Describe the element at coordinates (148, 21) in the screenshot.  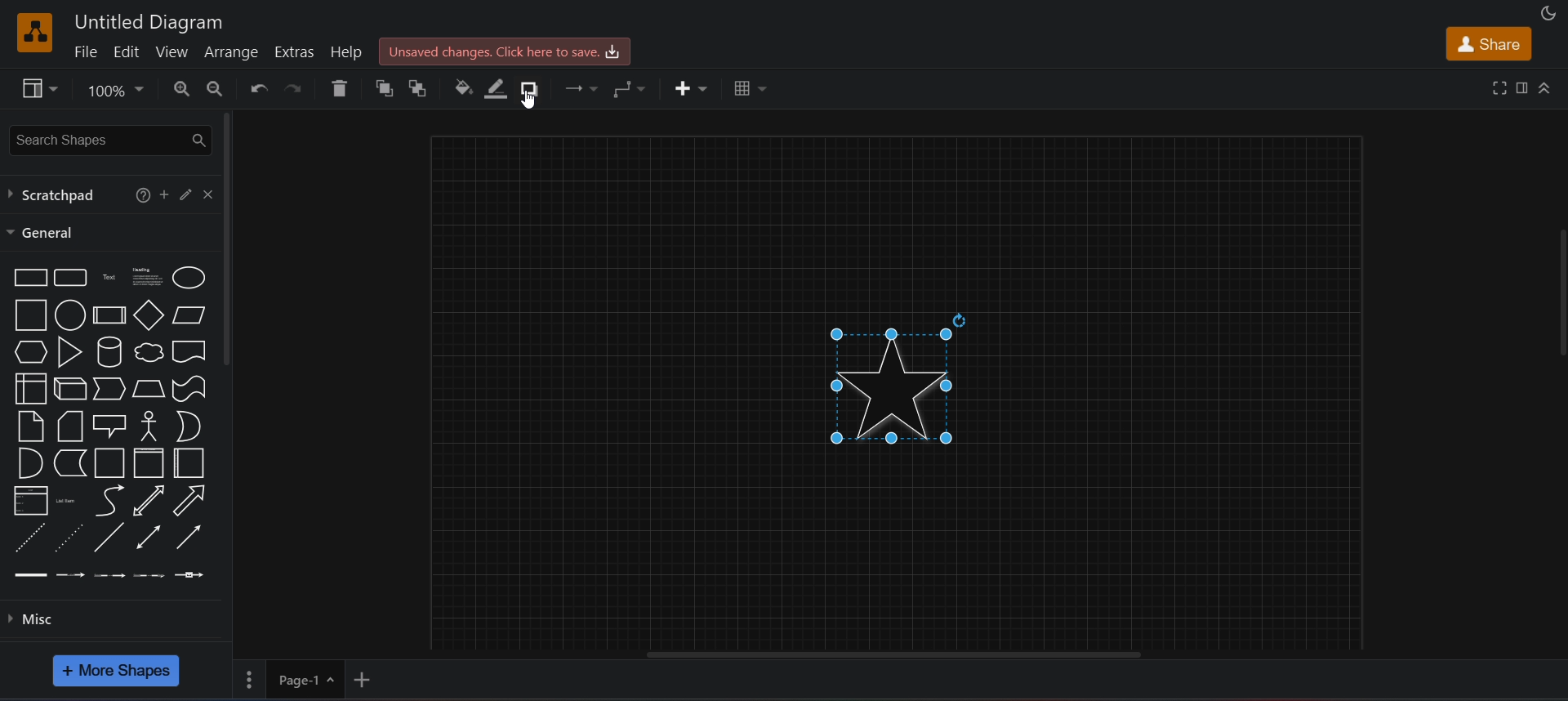
I see `untitled diagram` at that location.